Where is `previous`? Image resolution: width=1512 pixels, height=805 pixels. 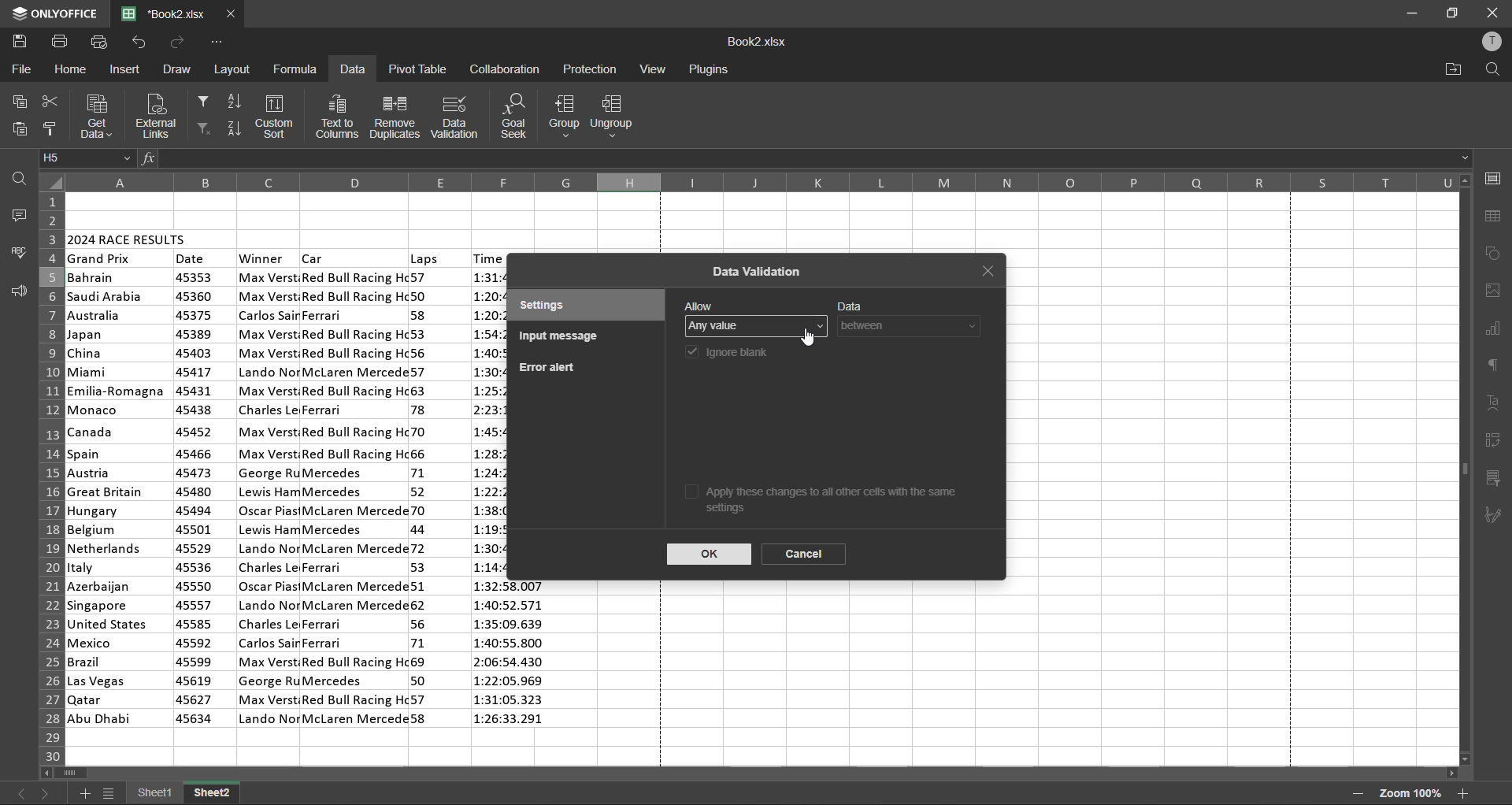 previous is located at coordinates (20, 792).